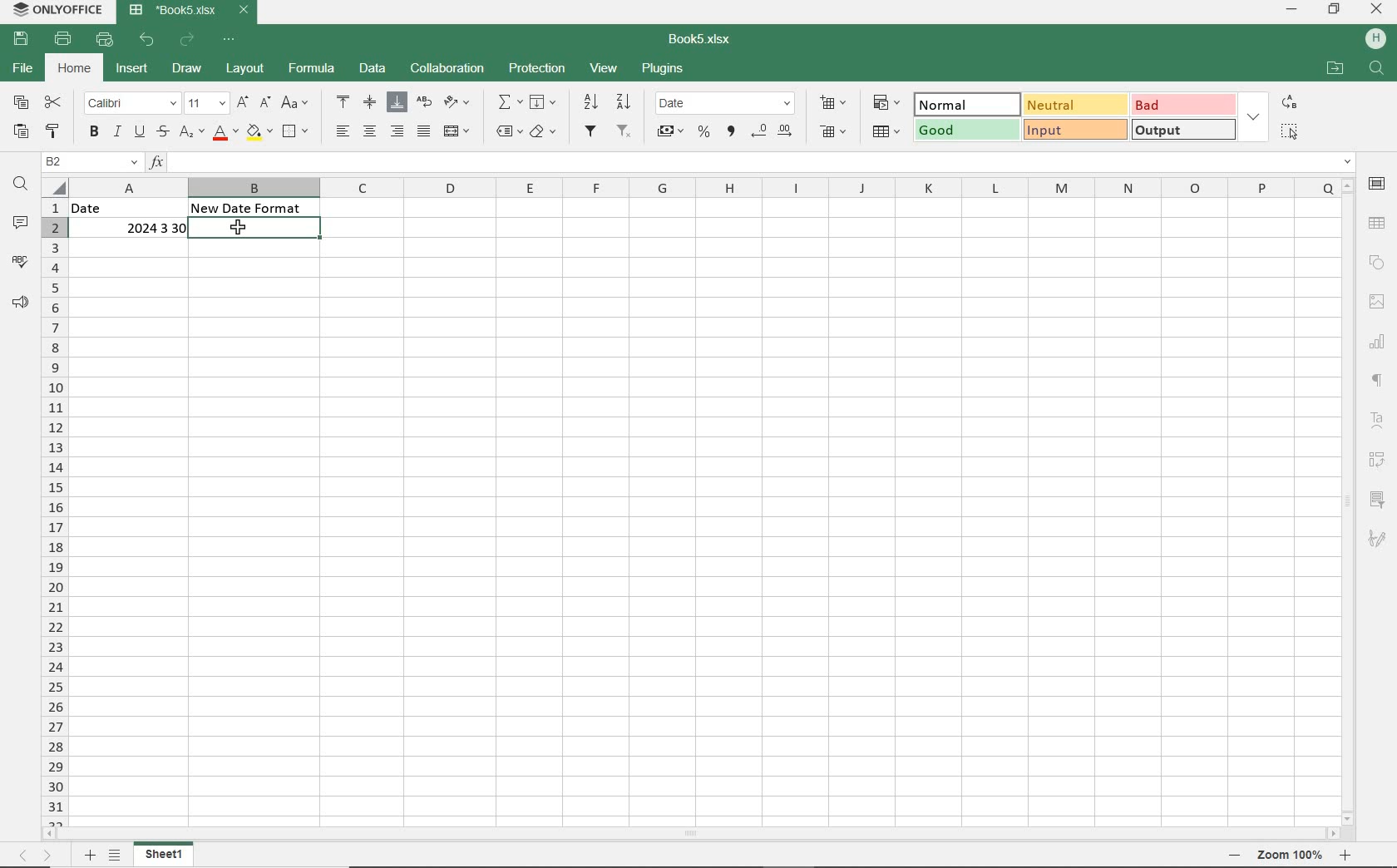 The height and width of the screenshot is (868, 1397). Describe the element at coordinates (730, 133) in the screenshot. I see `COMMA STYLE` at that location.